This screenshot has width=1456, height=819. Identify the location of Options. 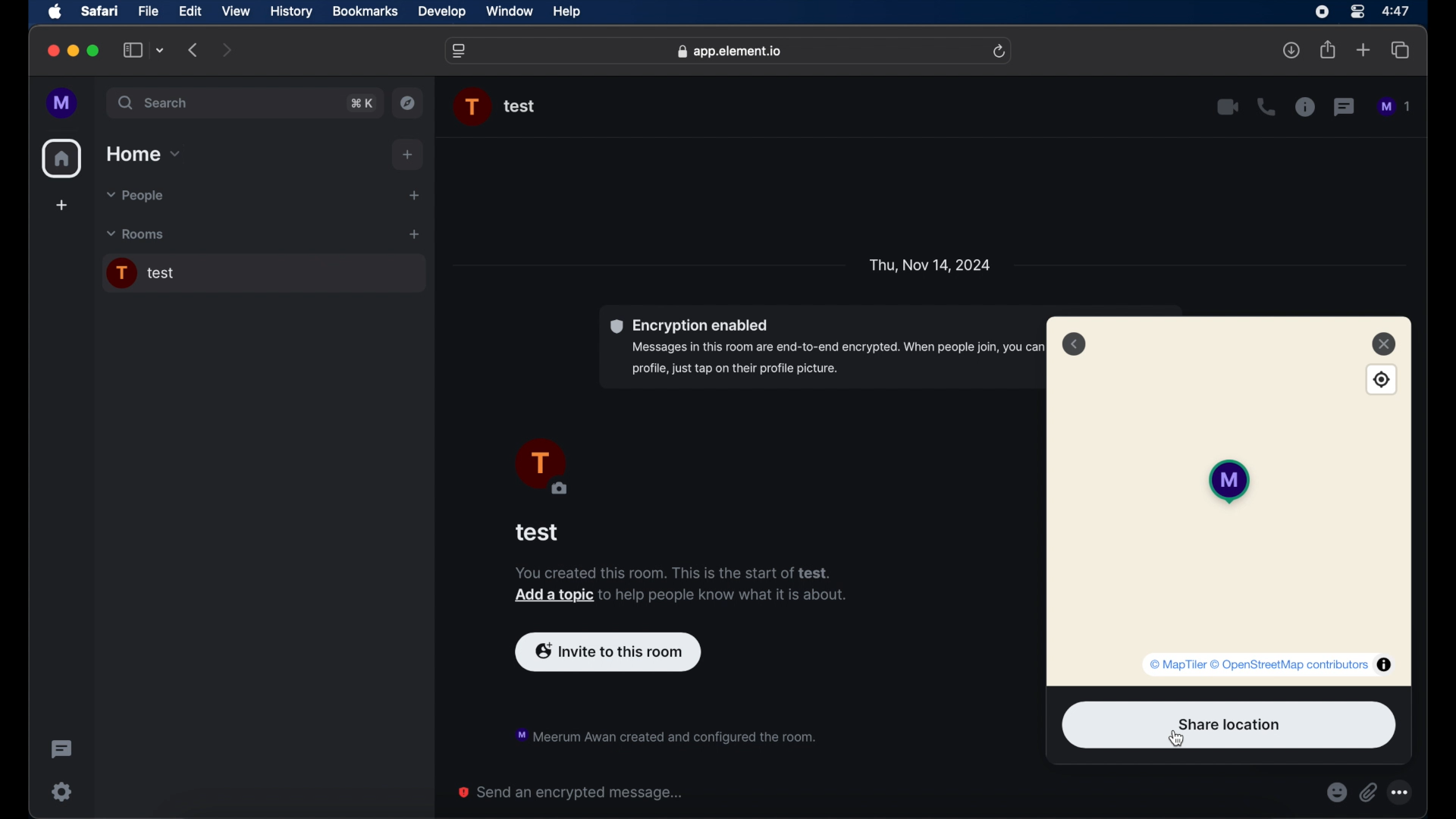
(1404, 792).